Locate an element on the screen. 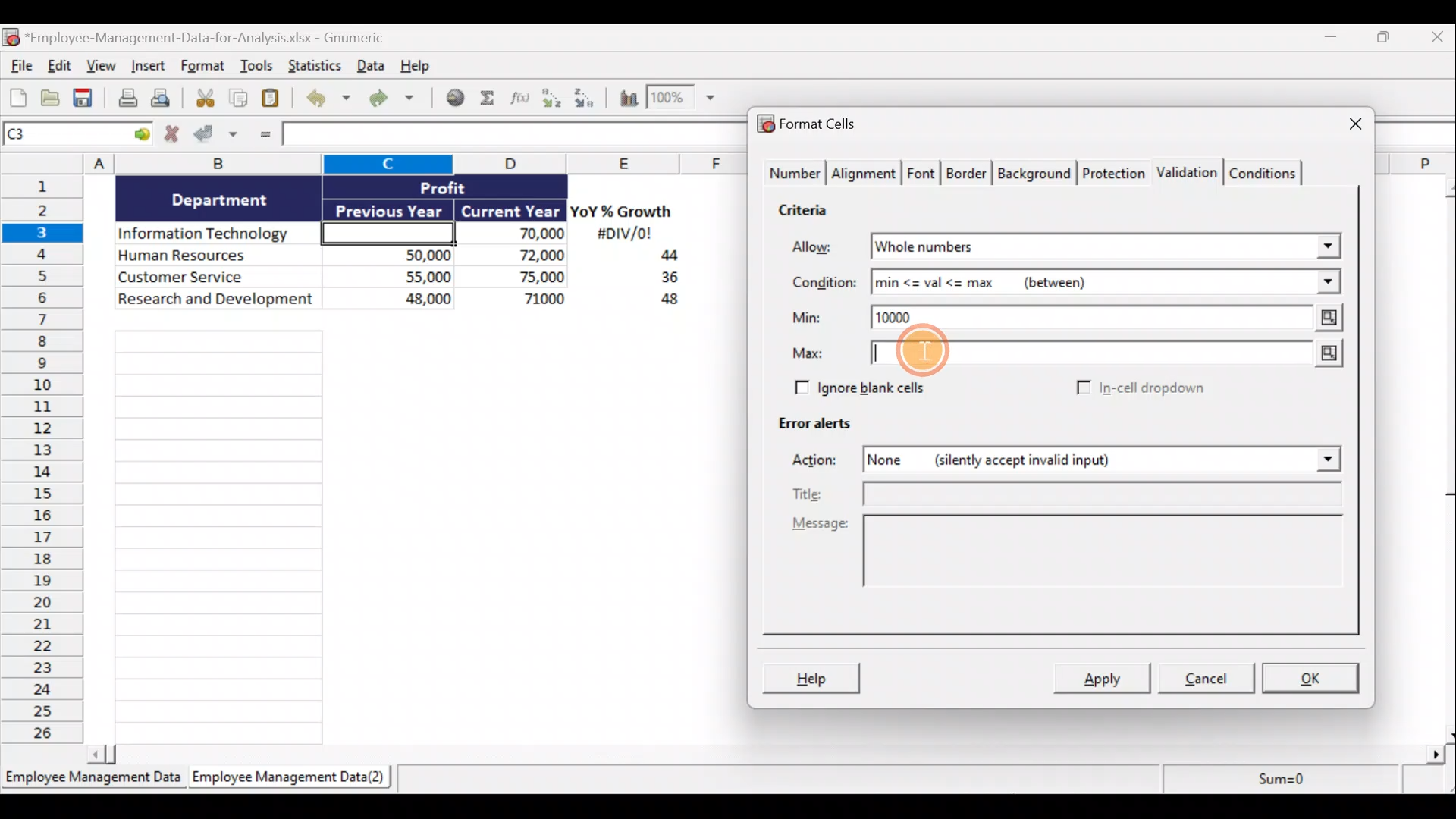 The image size is (1456, 819). Actions drop down is located at coordinates (1324, 462).